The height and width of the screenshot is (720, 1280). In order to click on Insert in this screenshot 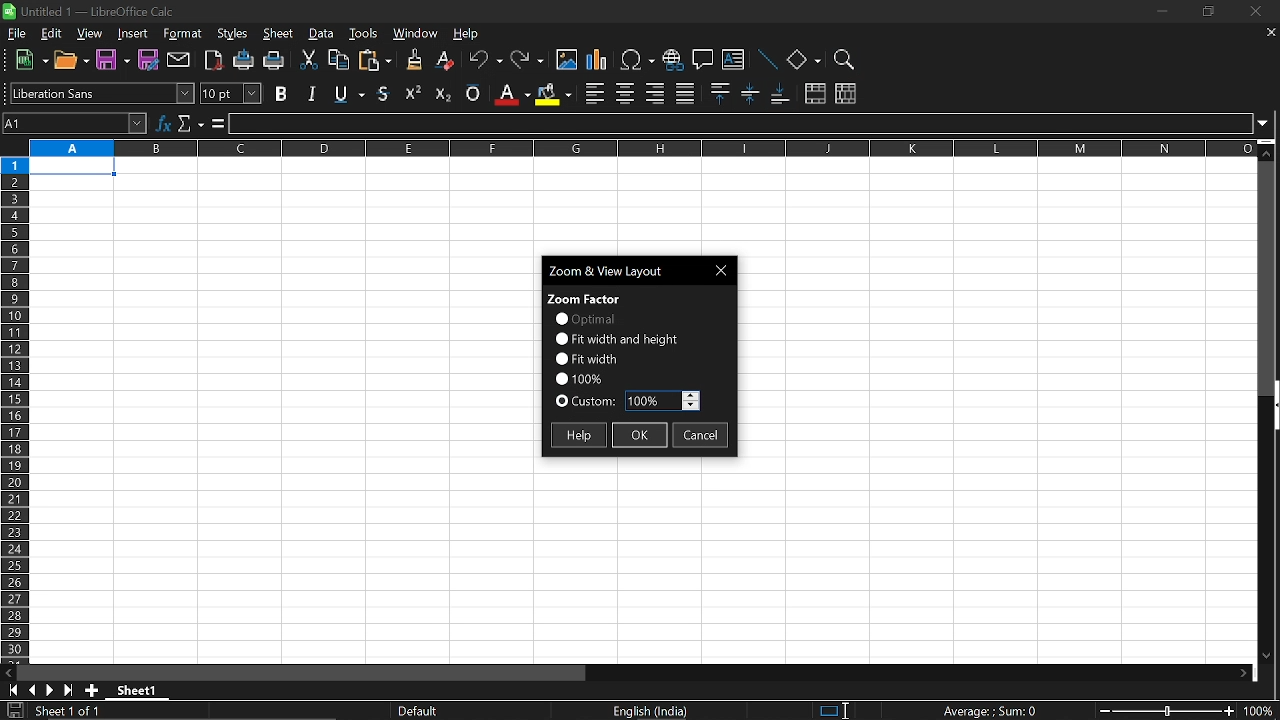, I will do `click(133, 35)`.